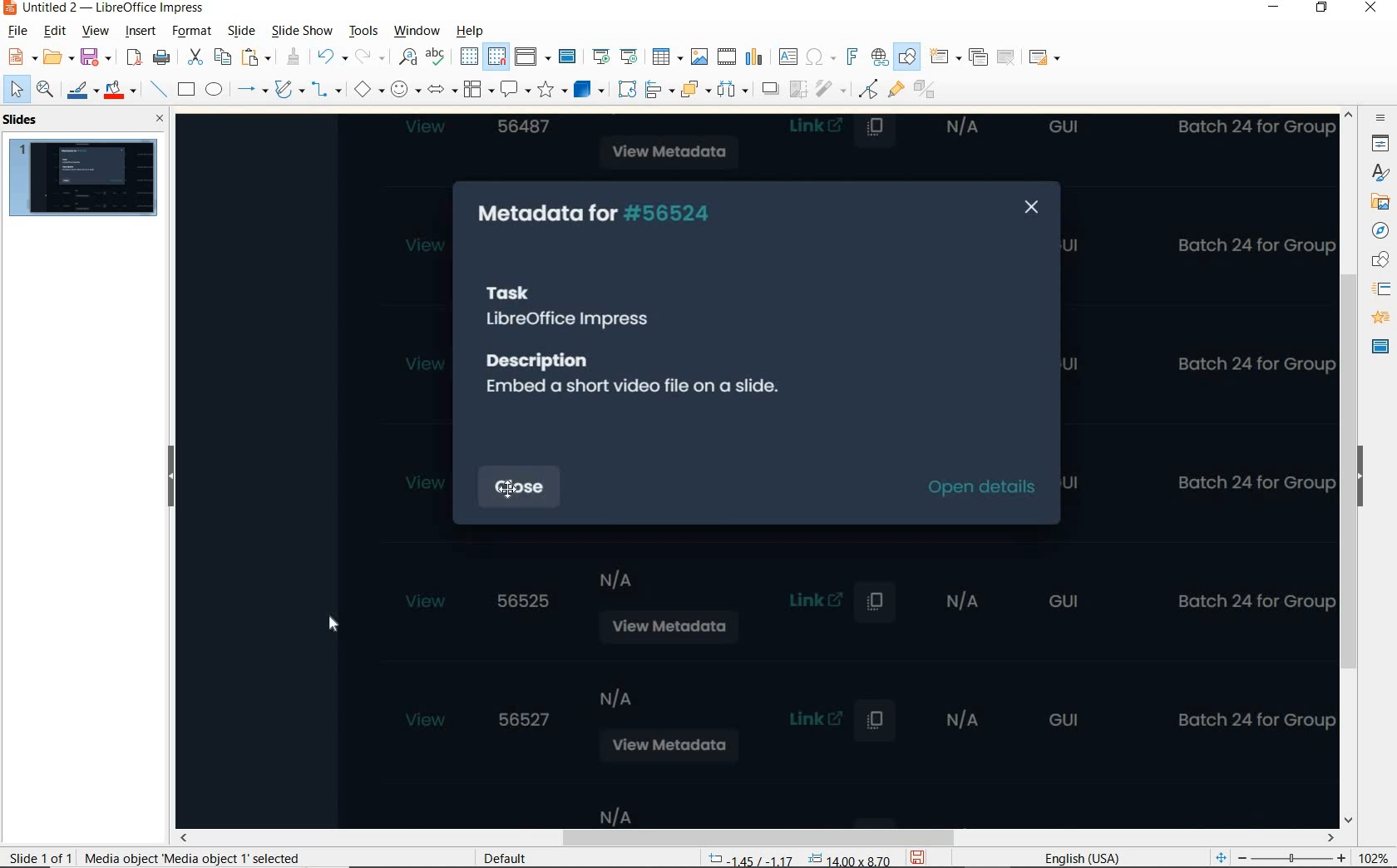 The height and width of the screenshot is (868, 1397). Describe the element at coordinates (909, 57) in the screenshot. I see `SHOW DRAW FUNCTIONS` at that location.